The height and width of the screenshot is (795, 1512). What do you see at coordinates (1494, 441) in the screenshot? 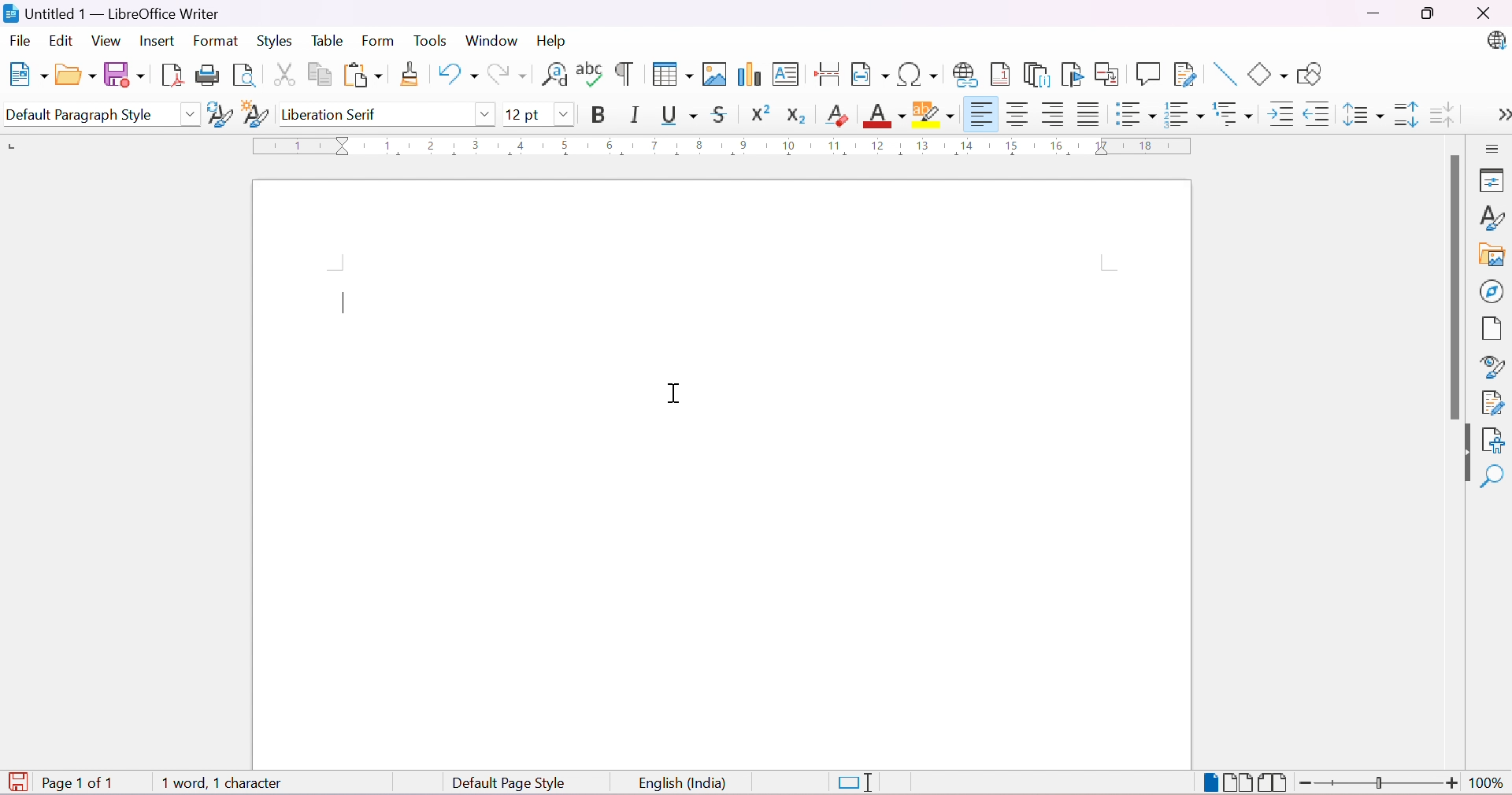
I see `Accessibility Check` at bounding box center [1494, 441].